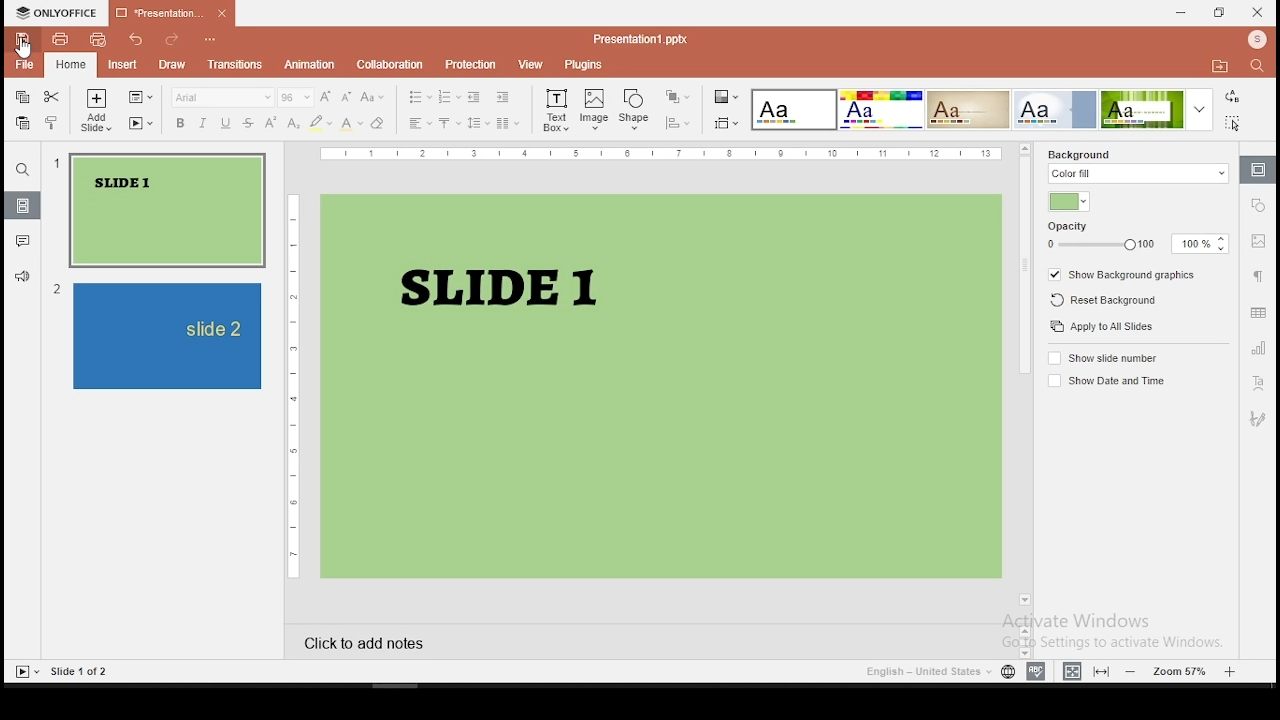 The height and width of the screenshot is (720, 1280). Describe the element at coordinates (1257, 66) in the screenshot. I see `find` at that location.